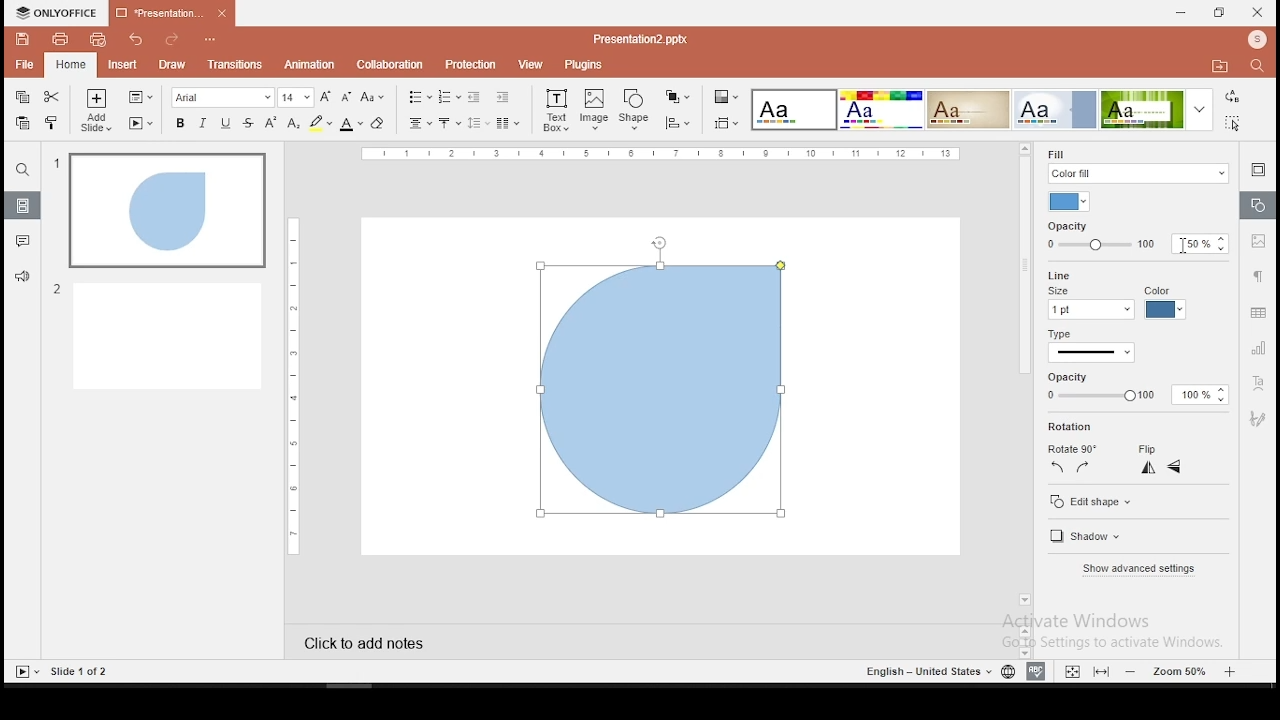 This screenshot has height=720, width=1280. What do you see at coordinates (1232, 99) in the screenshot?
I see `replace` at bounding box center [1232, 99].